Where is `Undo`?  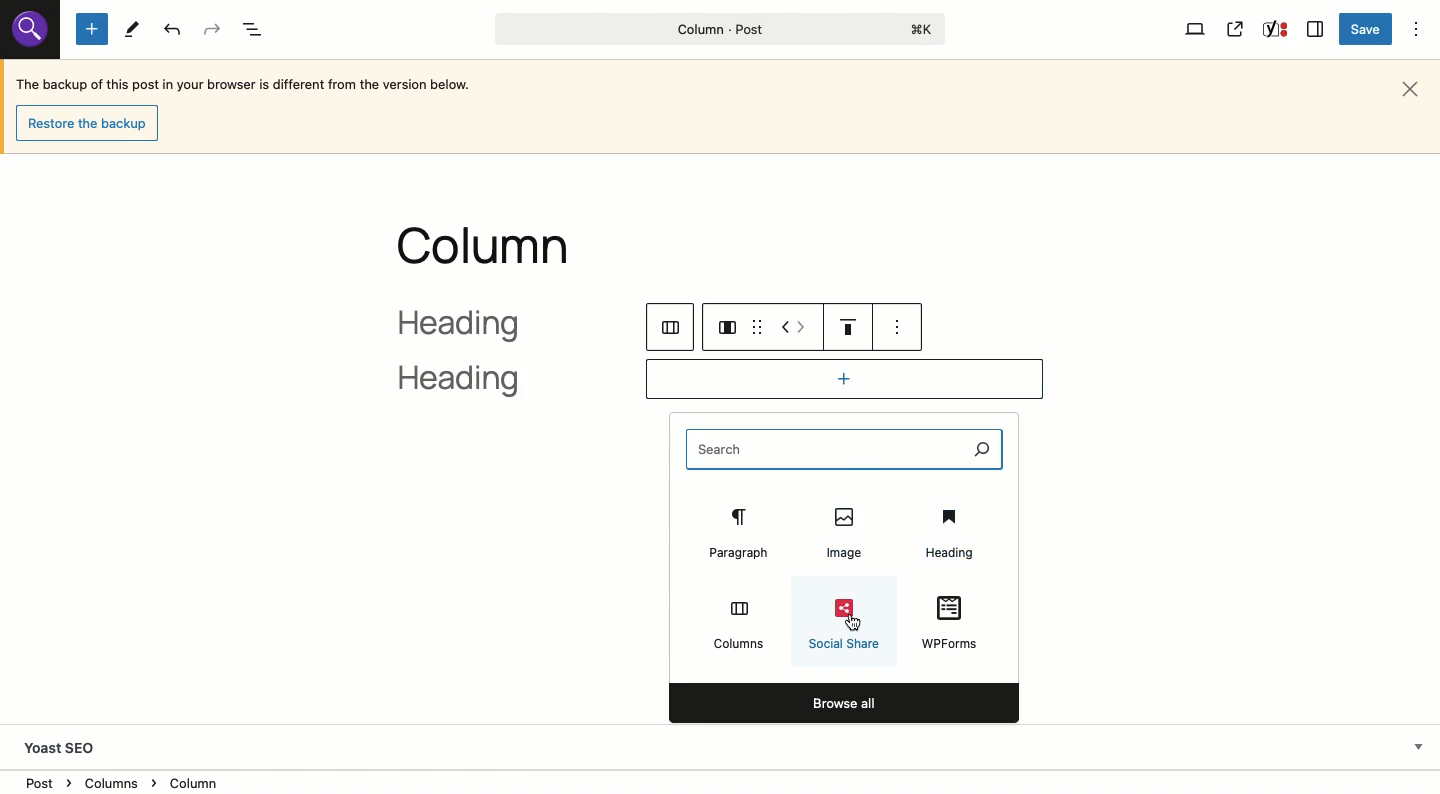
Undo is located at coordinates (174, 30).